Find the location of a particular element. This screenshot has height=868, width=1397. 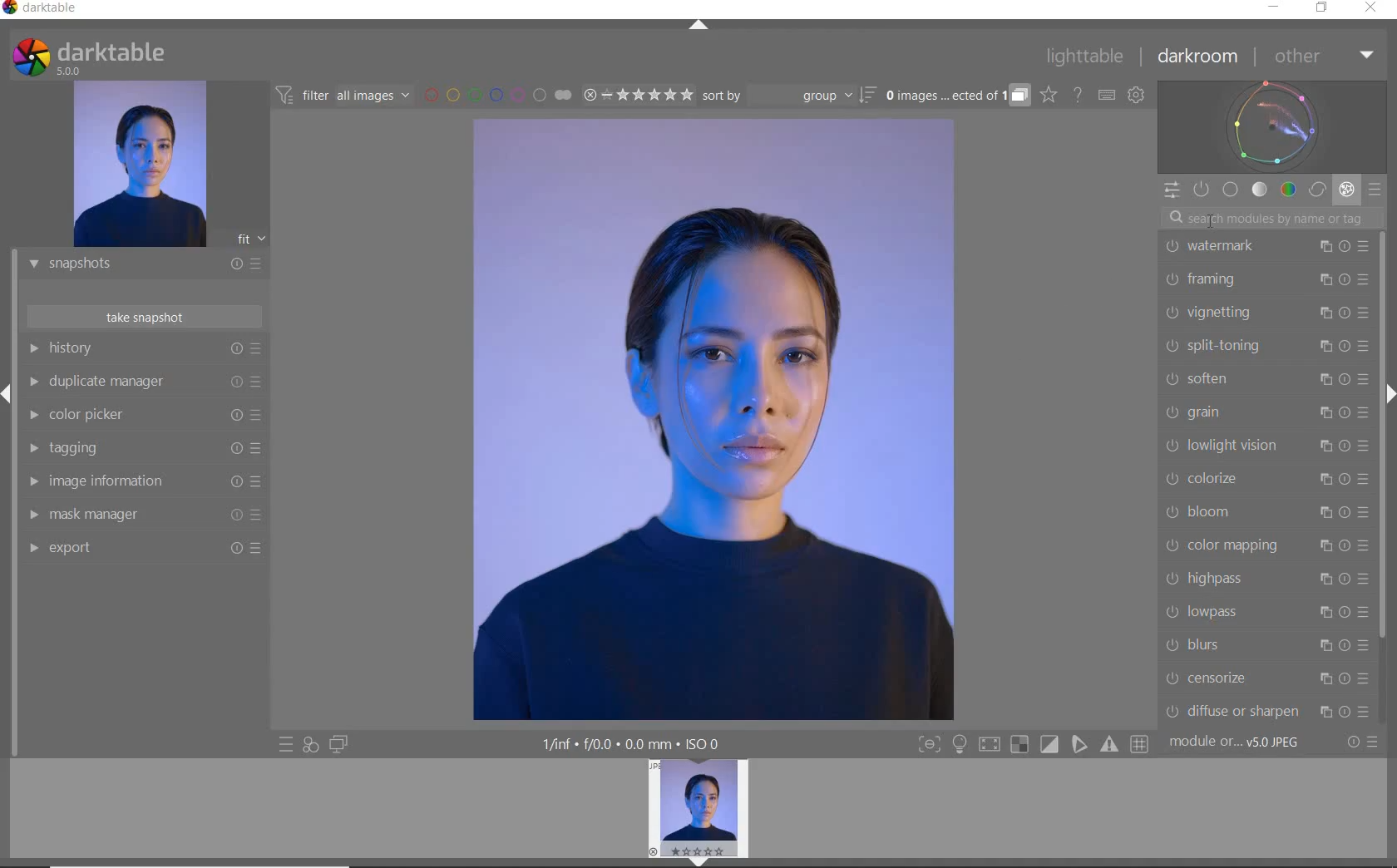

IMAGE PREVIEW is located at coordinates (139, 165).